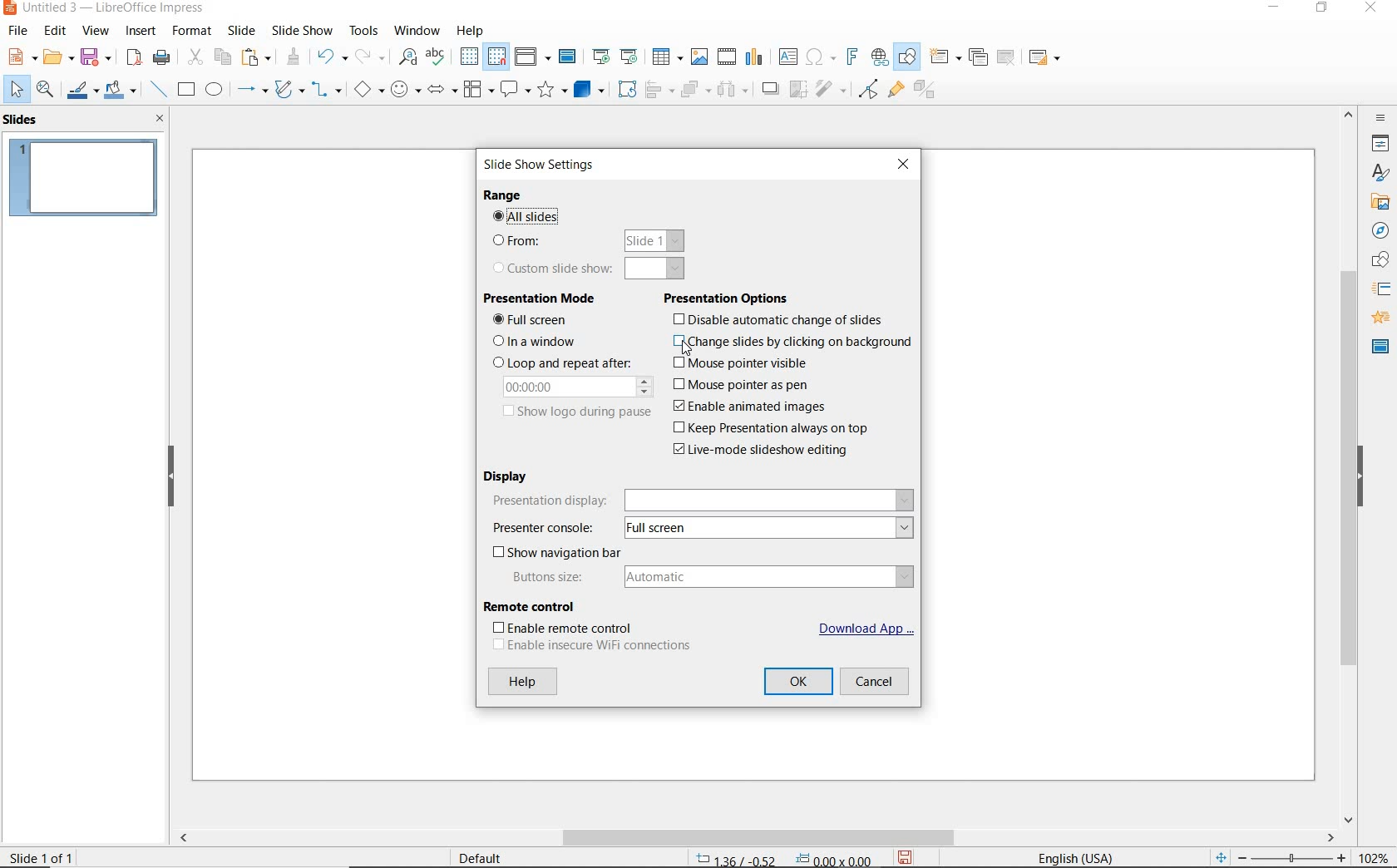 This screenshot has width=1397, height=868. What do you see at coordinates (876, 680) in the screenshot?
I see `CANCEL` at bounding box center [876, 680].